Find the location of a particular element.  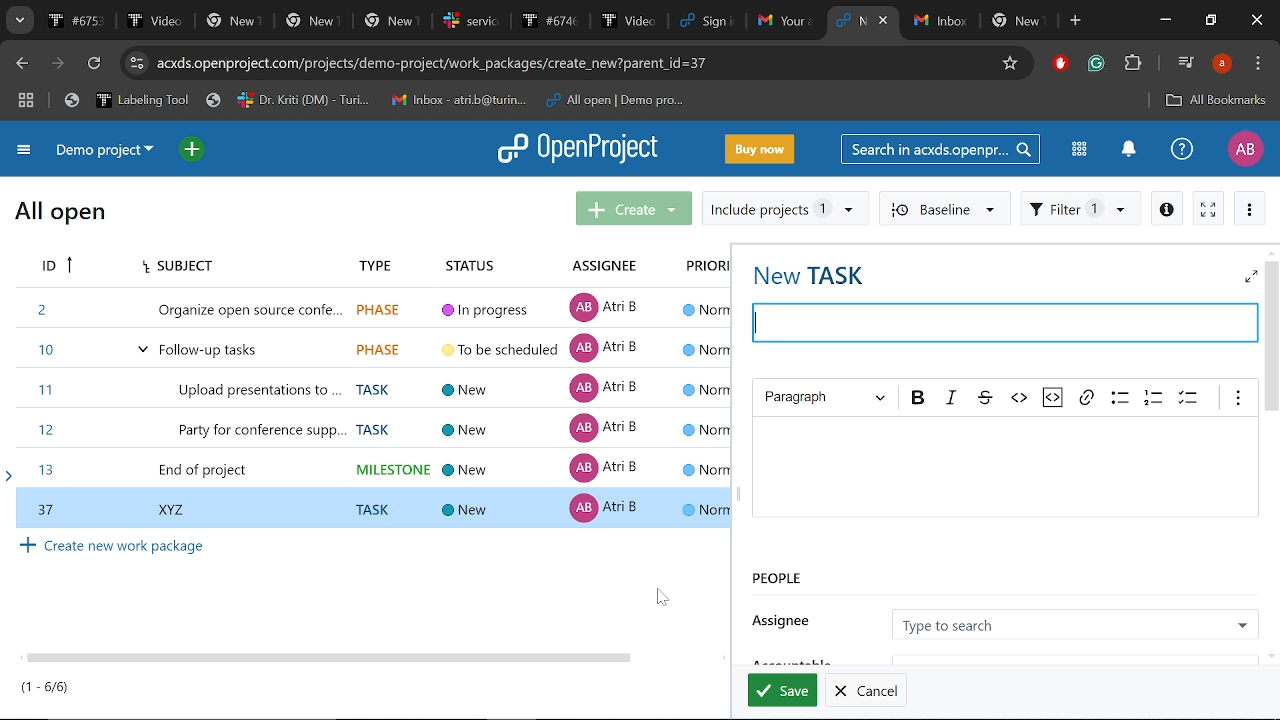

Create is located at coordinates (634, 207).